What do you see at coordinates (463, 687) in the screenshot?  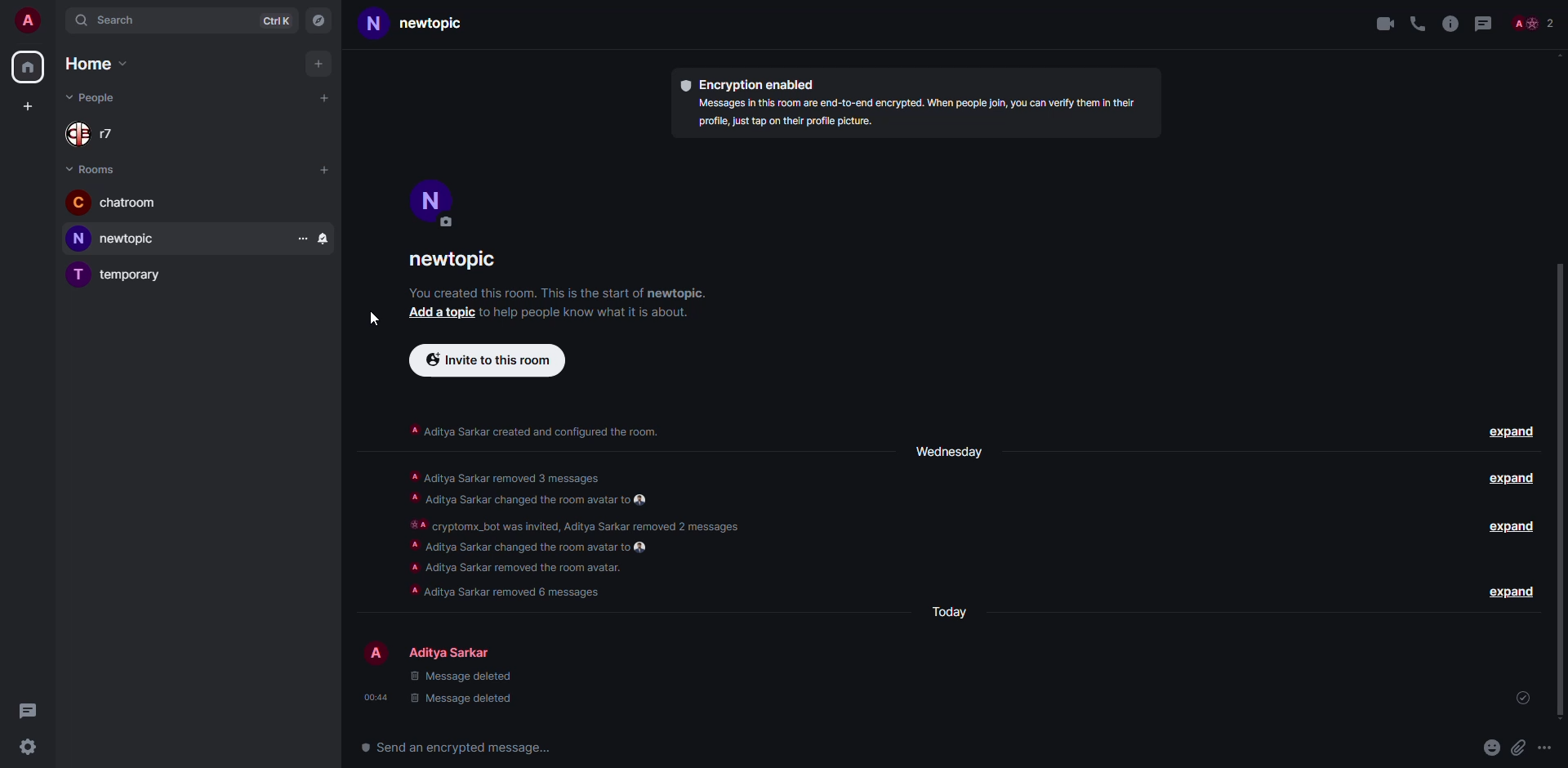 I see `deleted` at bounding box center [463, 687].